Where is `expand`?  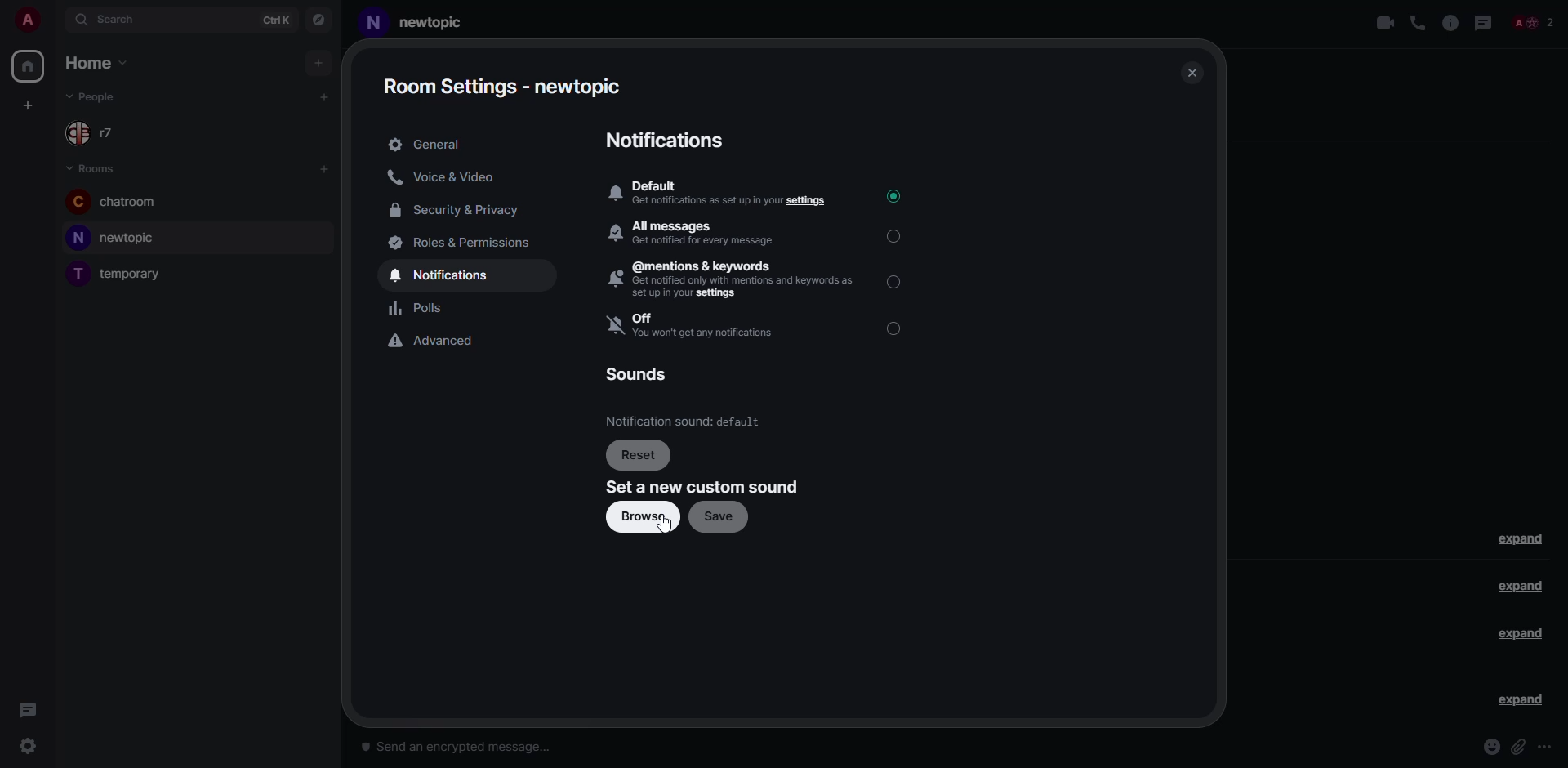
expand is located at coordinates (1521, 634).